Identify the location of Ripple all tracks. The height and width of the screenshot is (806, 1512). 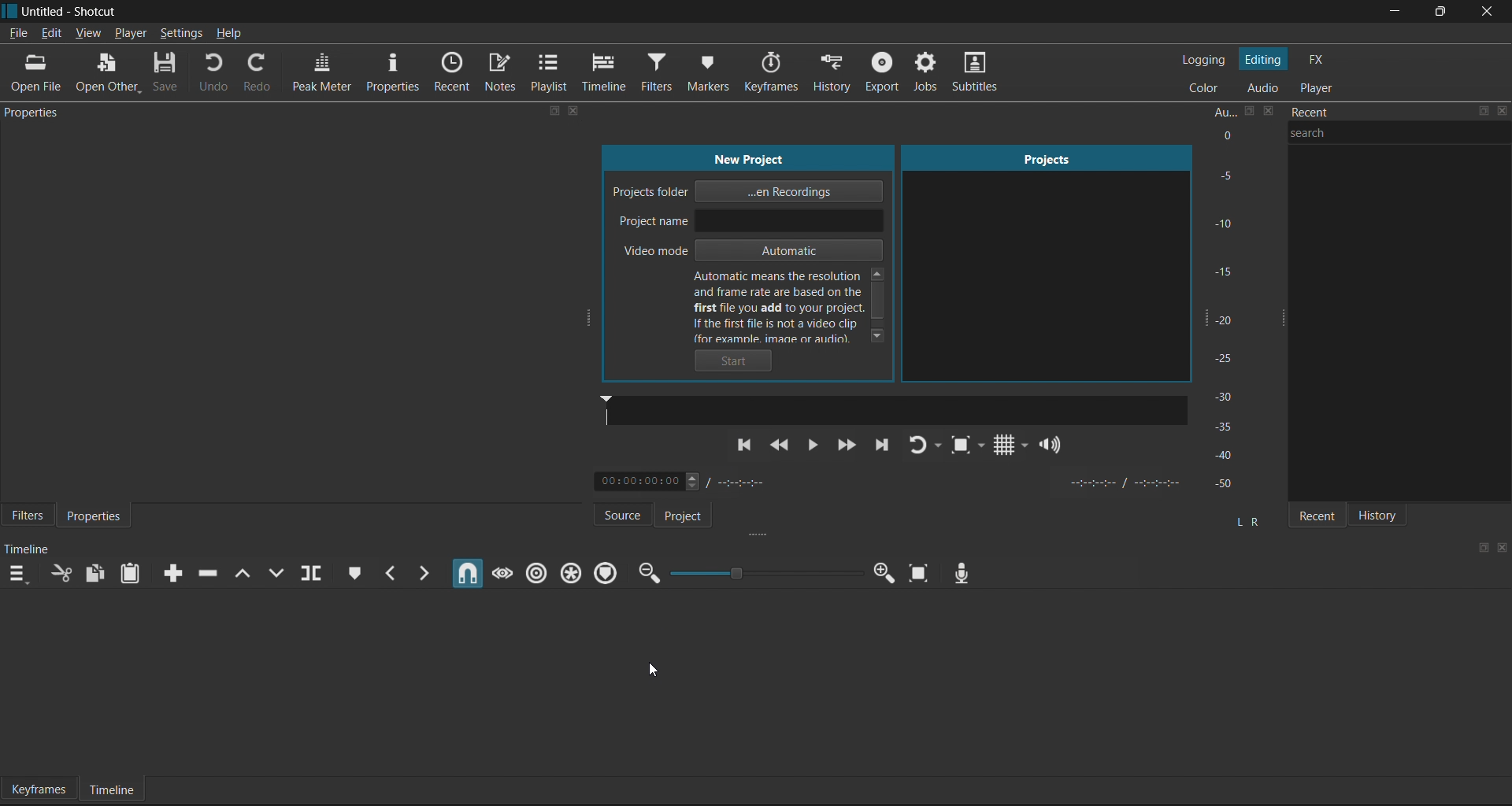
(570, 571).